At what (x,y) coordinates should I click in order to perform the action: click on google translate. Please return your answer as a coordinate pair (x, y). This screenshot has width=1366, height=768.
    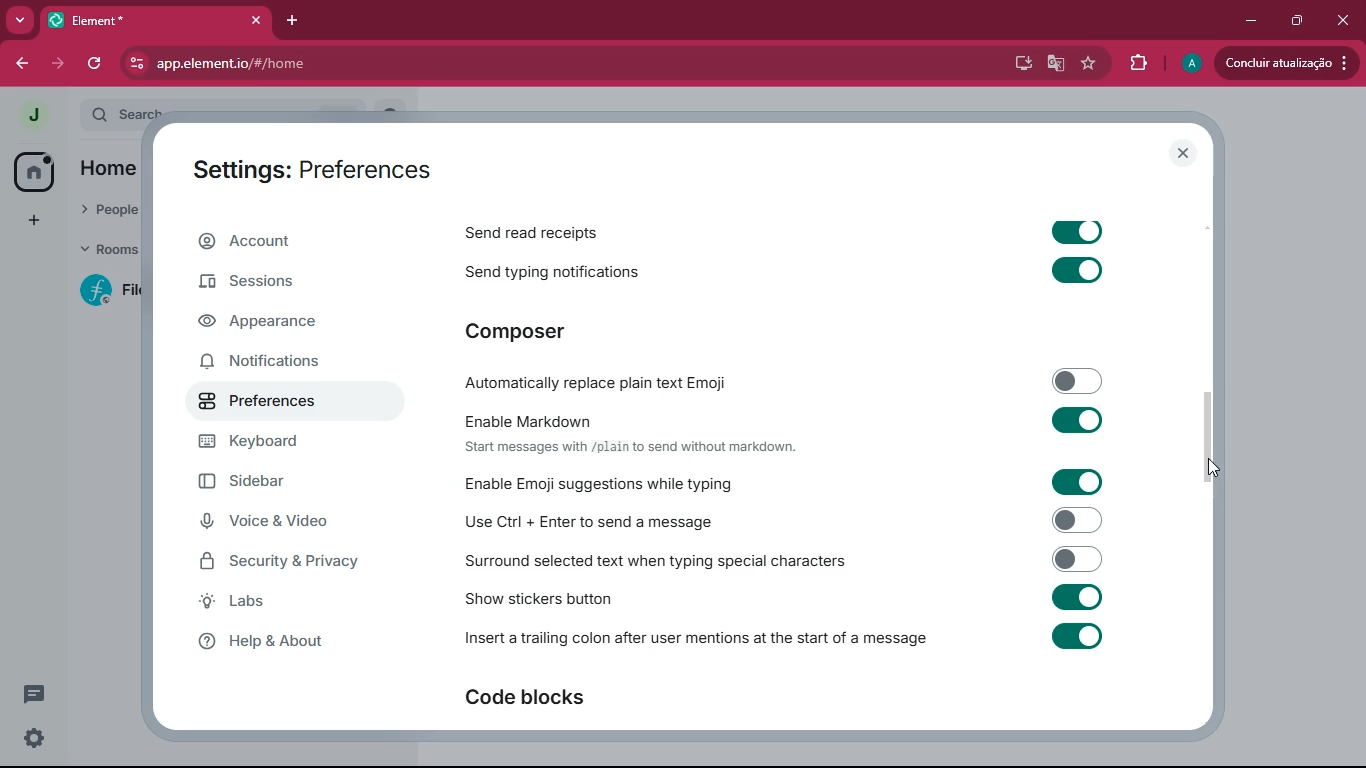
    Looking at the image, I should click on (1055, 67).